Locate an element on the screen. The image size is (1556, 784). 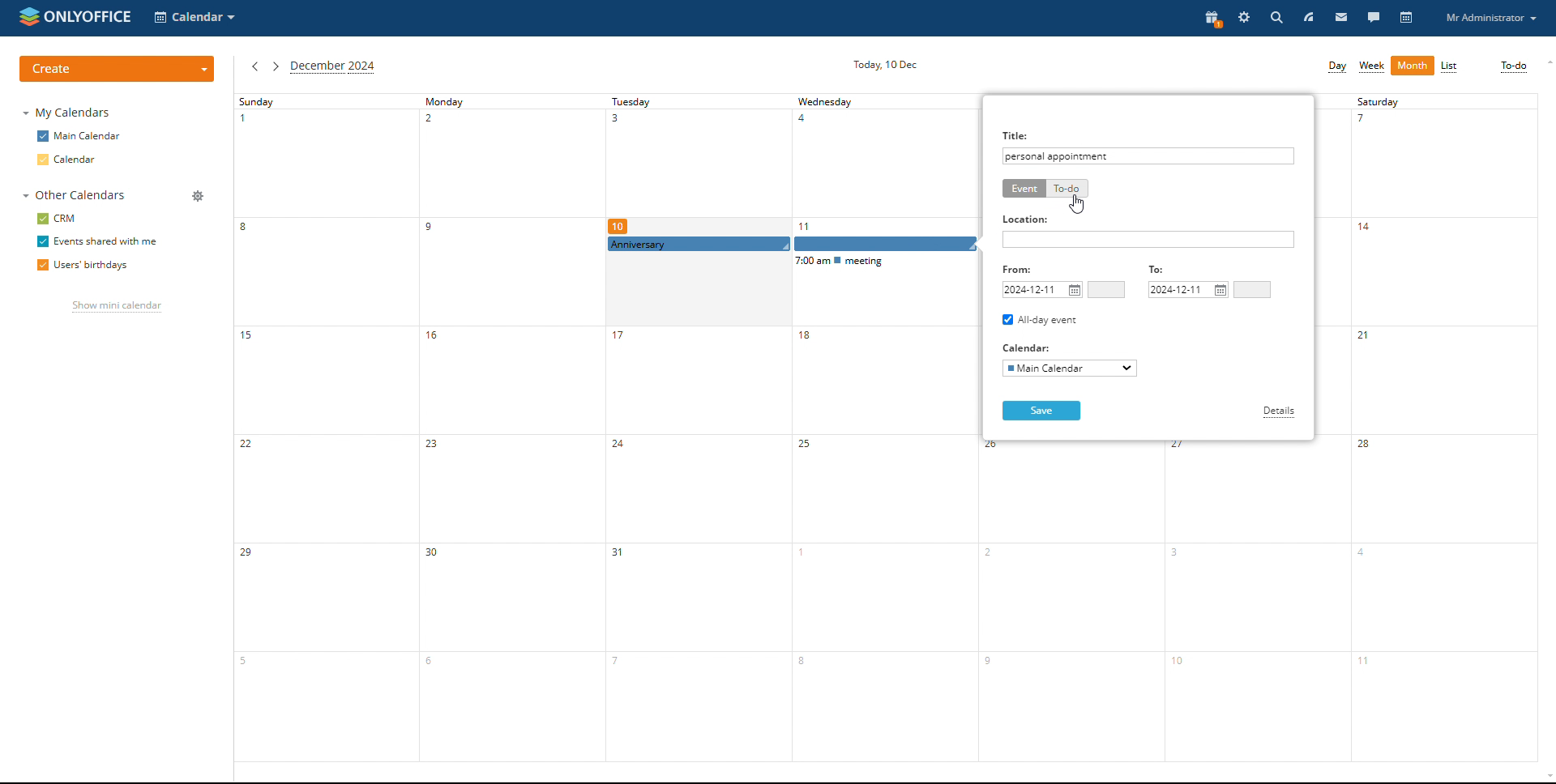
my calendars is located at coordinates (65, 113).